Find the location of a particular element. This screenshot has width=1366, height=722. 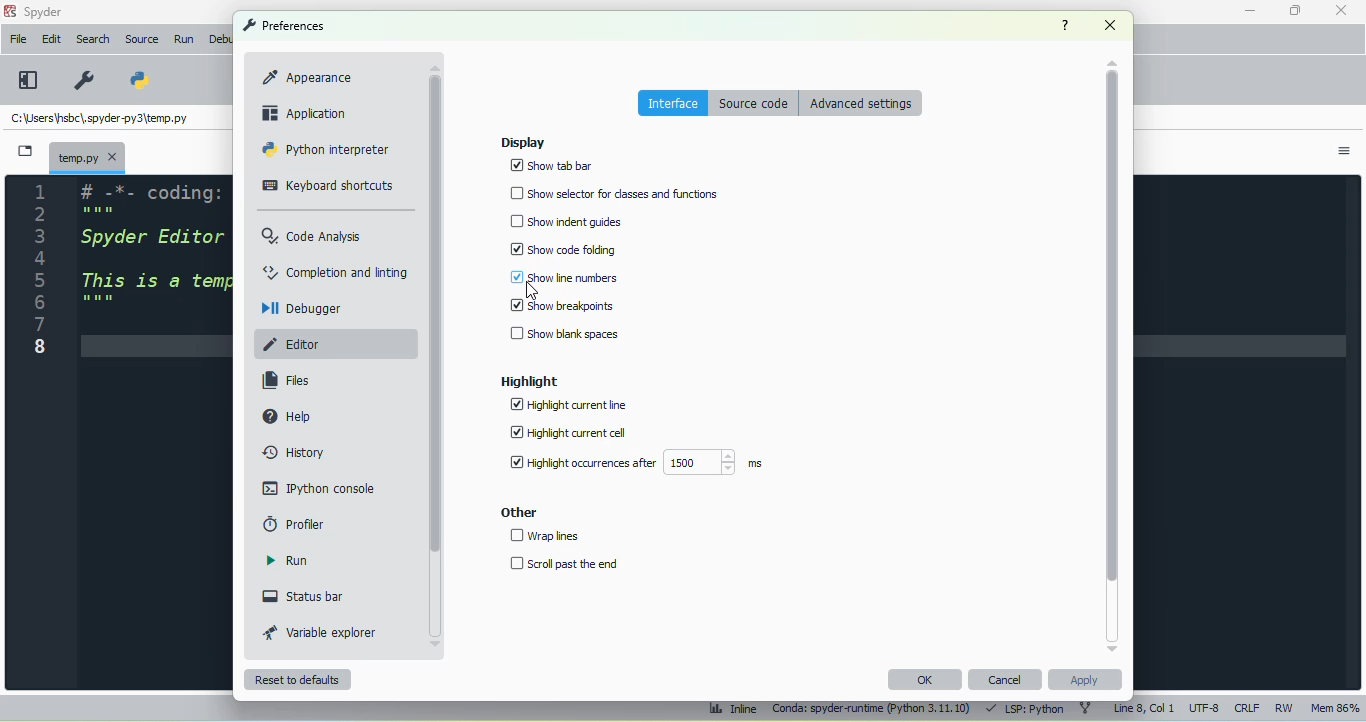

history is located at coordinates (296, 452).